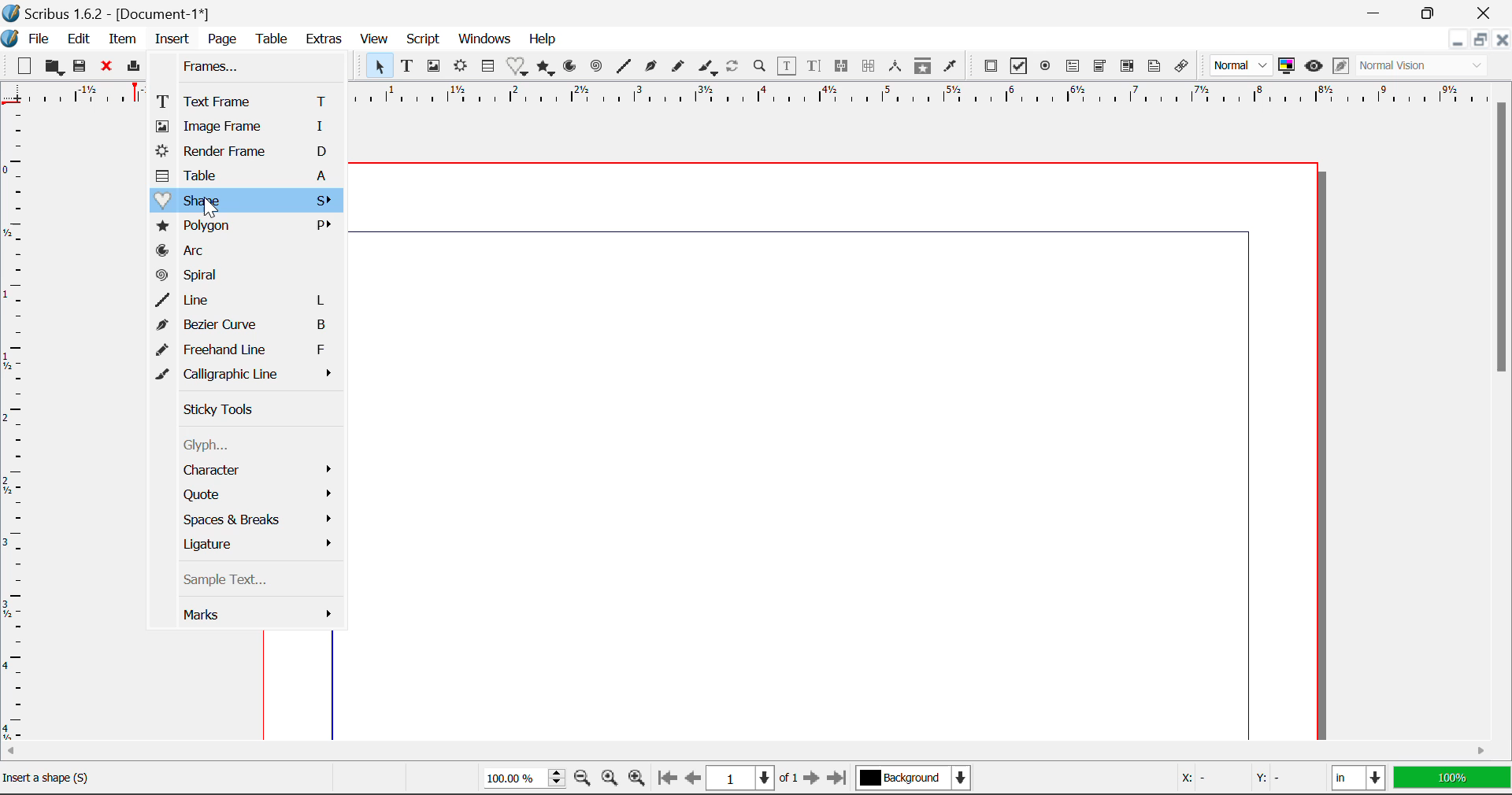 This screenshot has height=795, width=1512. What do you see at coordinates (637, 779) in the screenshot?
I see `Zoom In` at bounding box center [637, 779].